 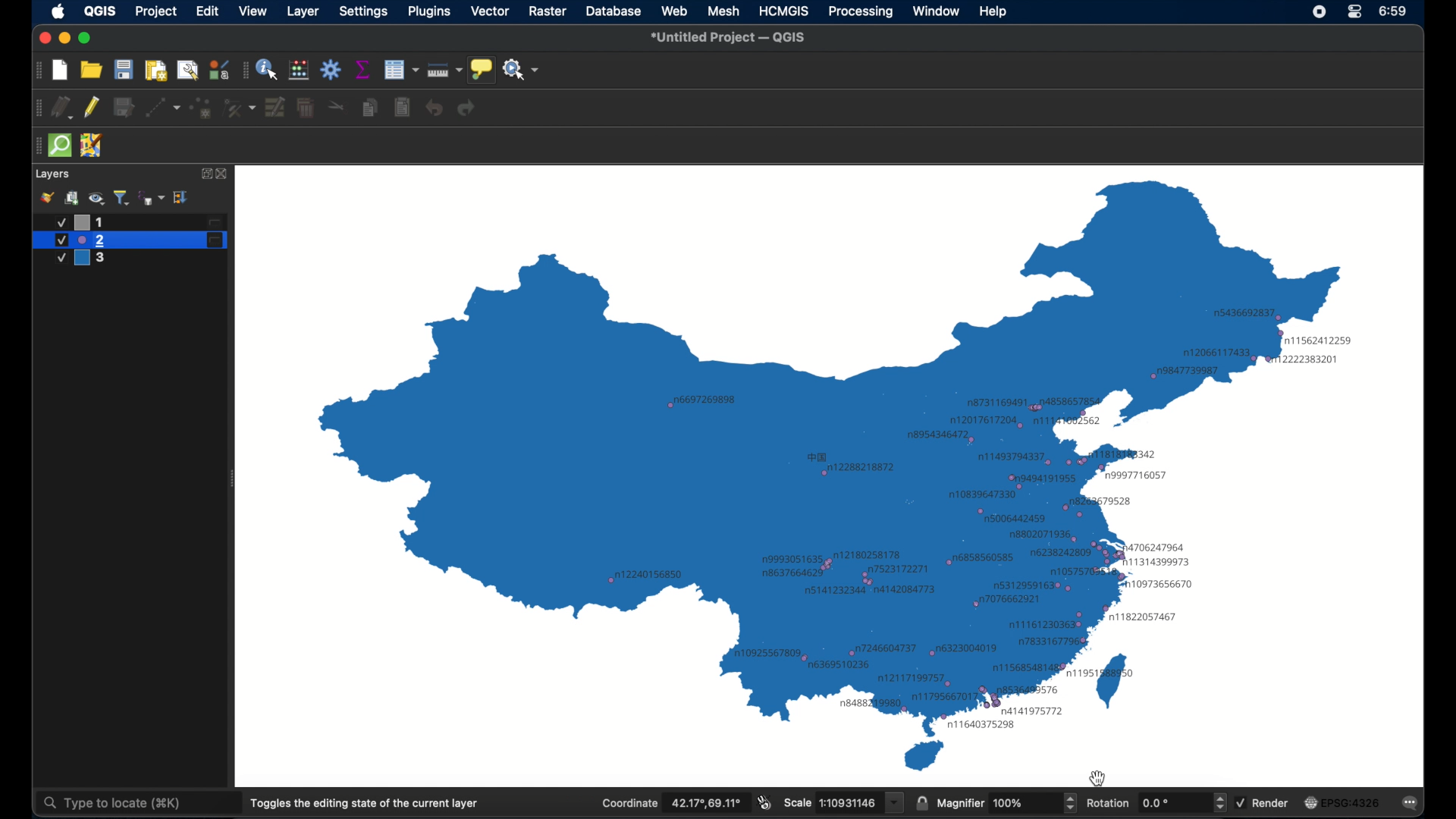 What do you see at coordinates (784, 11) in the screenshot?
I see `HCMGIS` at bounding box center [784, 11].